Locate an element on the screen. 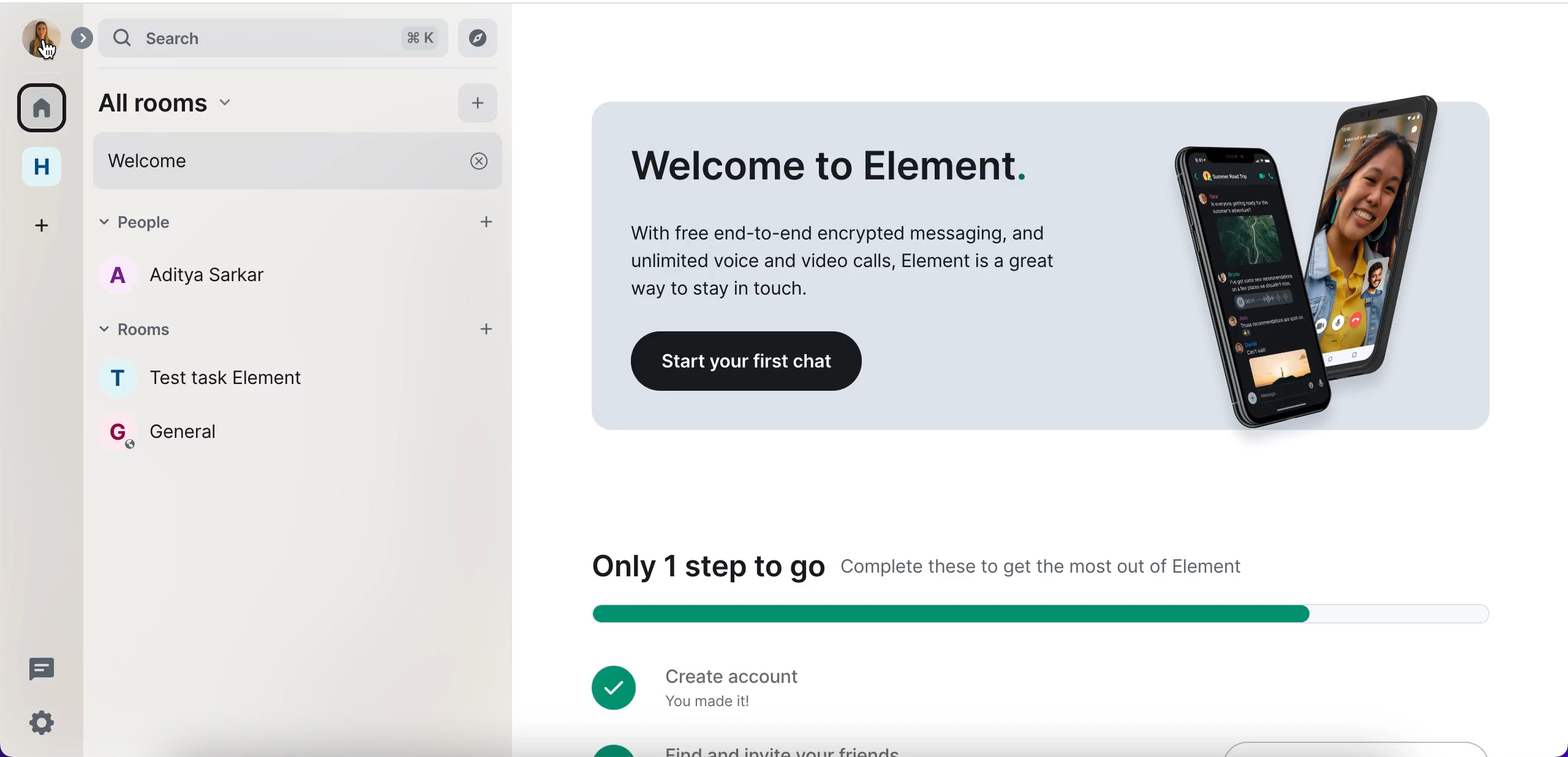 The width and height of the screenshot is (1568, 757). add is located at coordinates (485, 330).